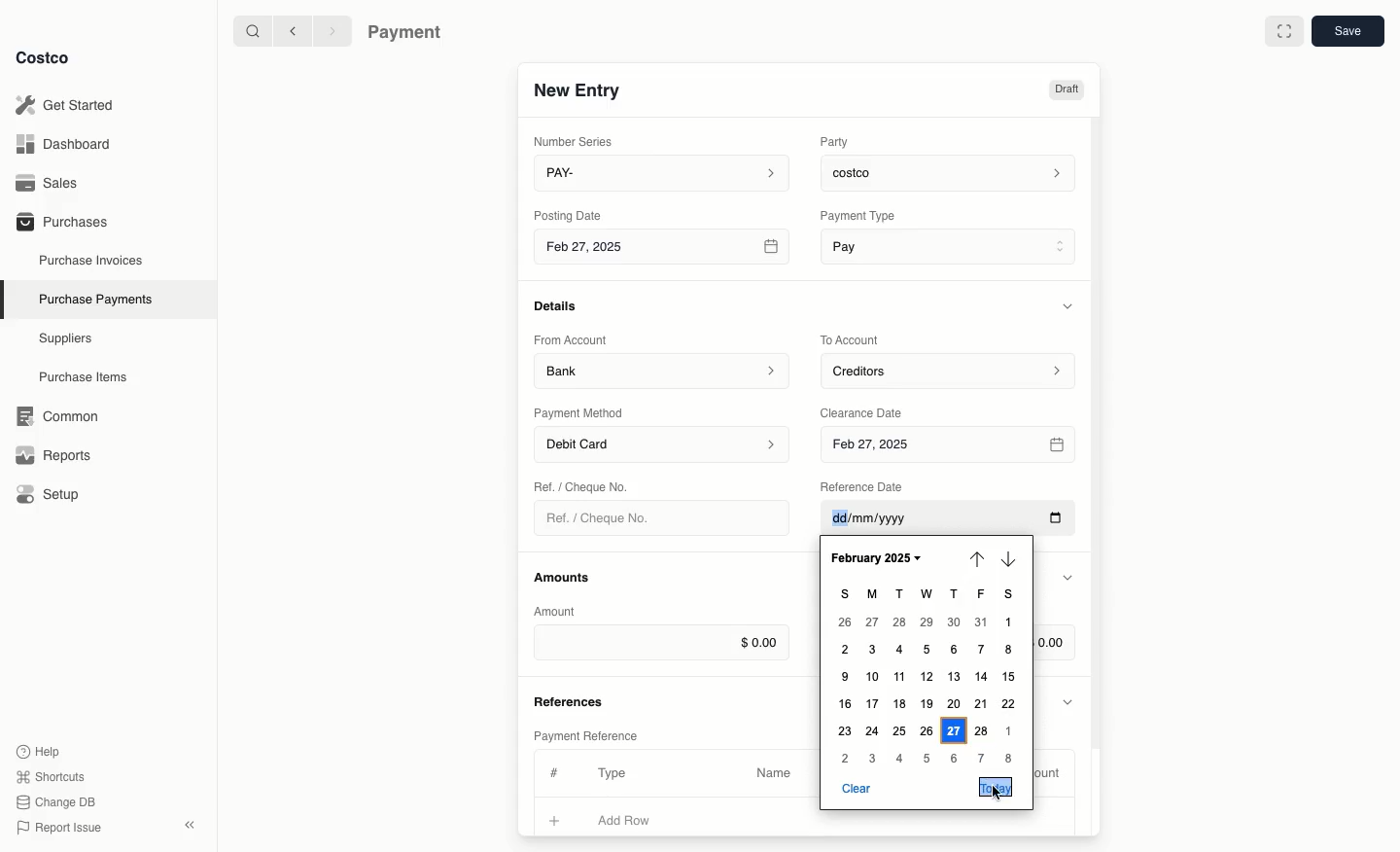 This screenshot has width=1400, height=852. What do you see at coordinates (974, 557) in the screenshot?
I see `Previous` at bounding box center [974, 557].